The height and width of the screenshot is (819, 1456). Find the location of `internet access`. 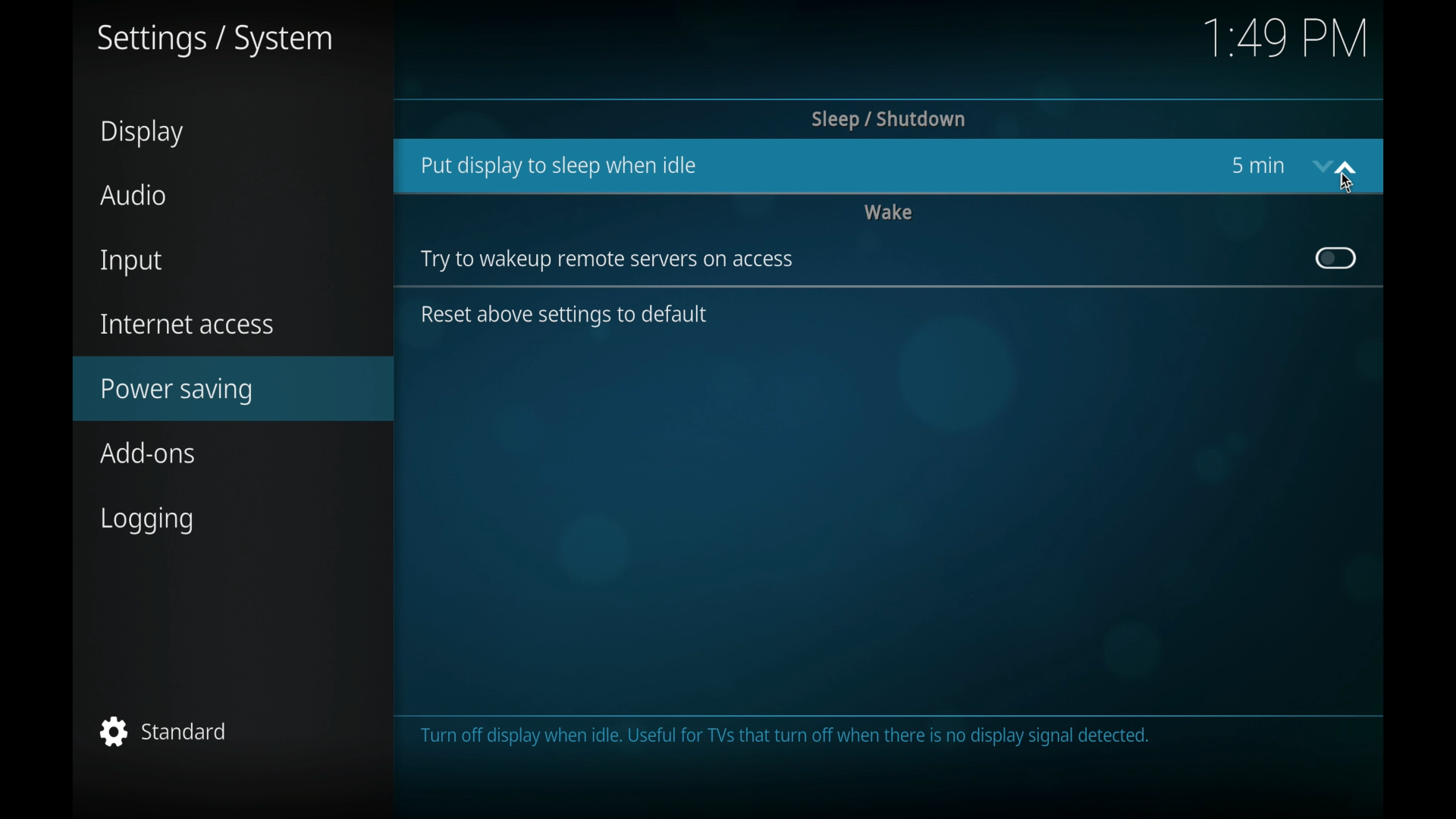

internet access is located at coordinates (187, 323).